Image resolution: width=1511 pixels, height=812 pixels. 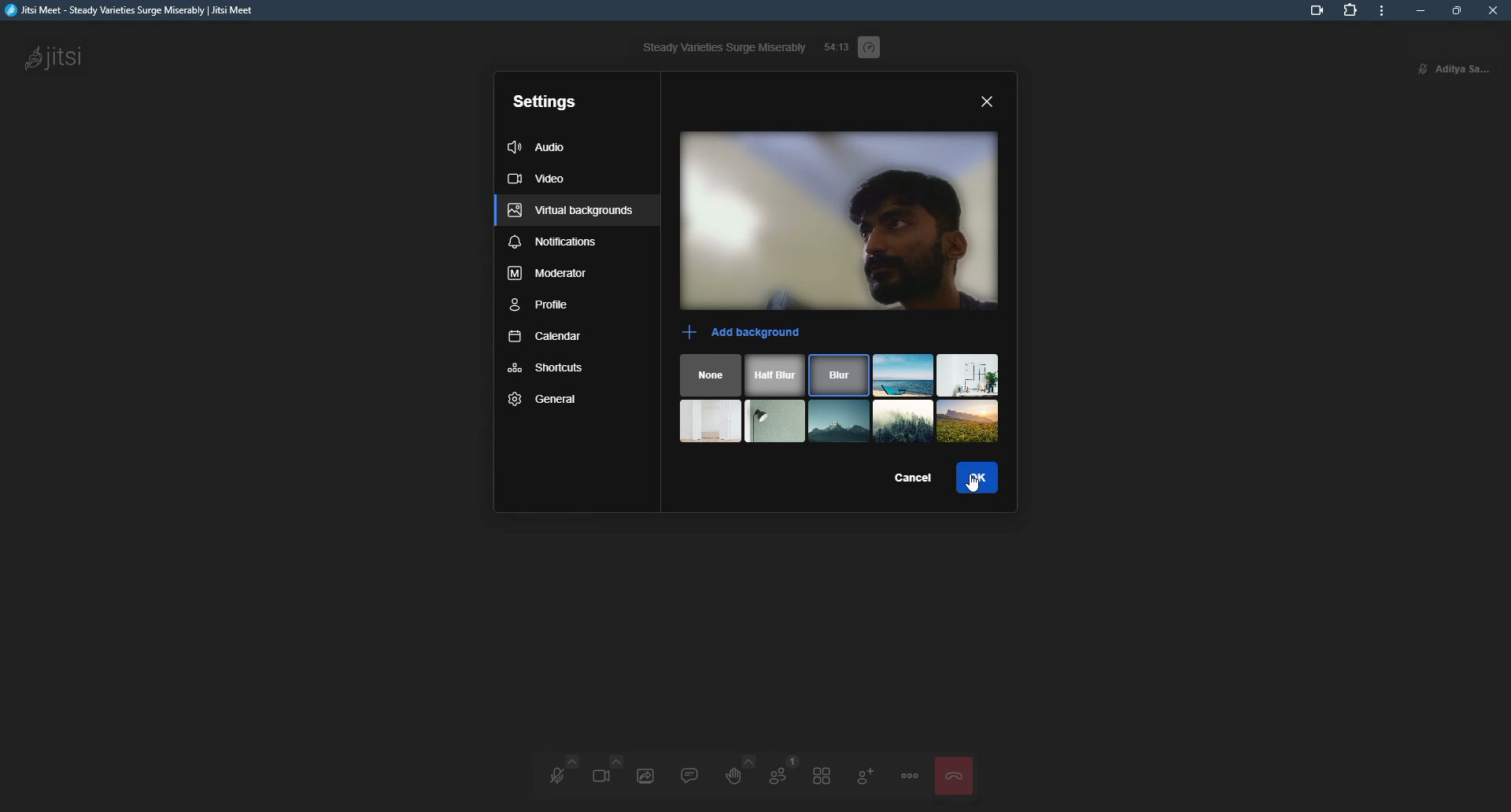 I want to click on half blur, so click(x=777, y=376).